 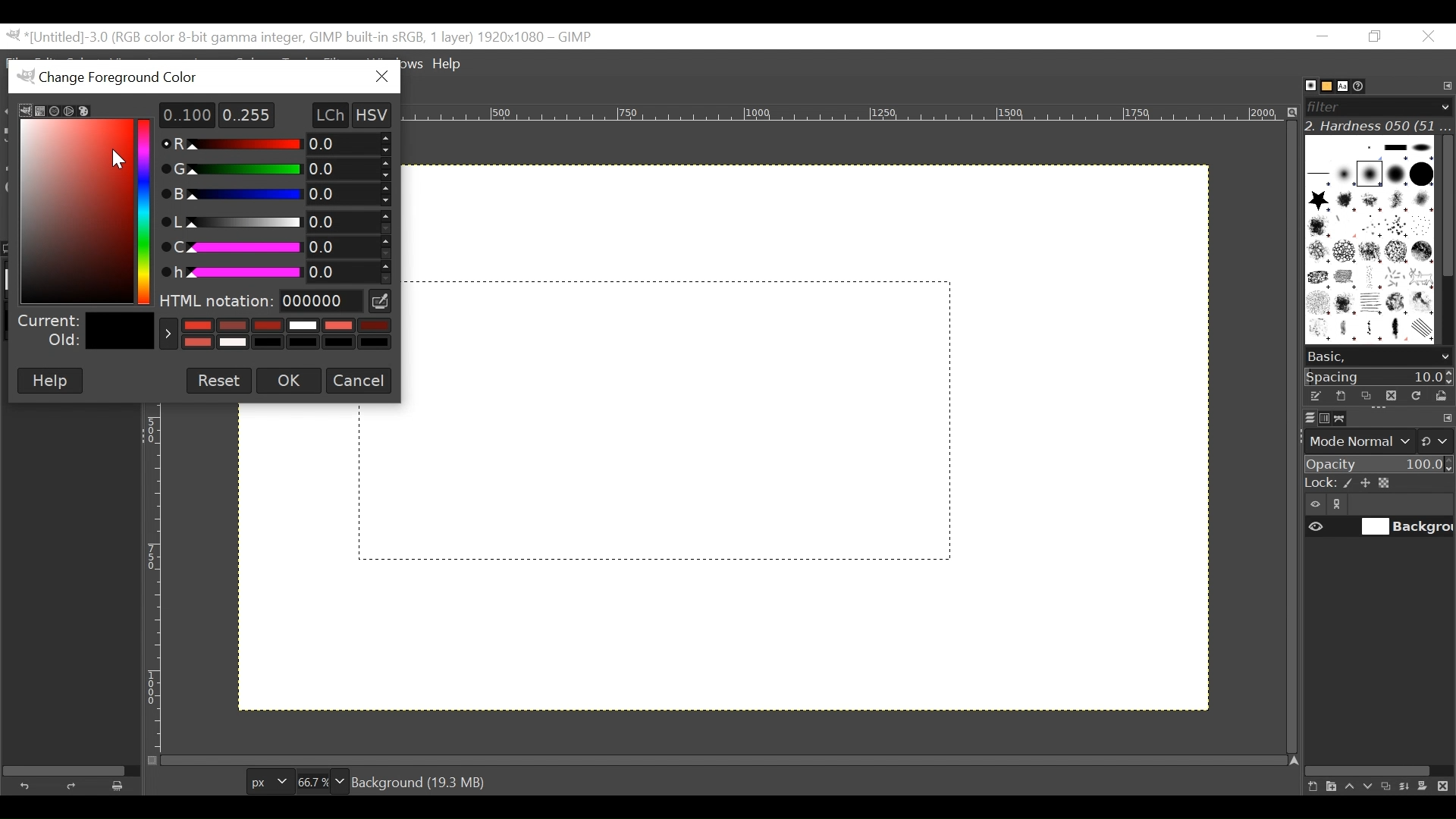 What do you see at coordinates (266, 779) in the screenshot?
I see `Pixels` at bounding box center [266, 779].